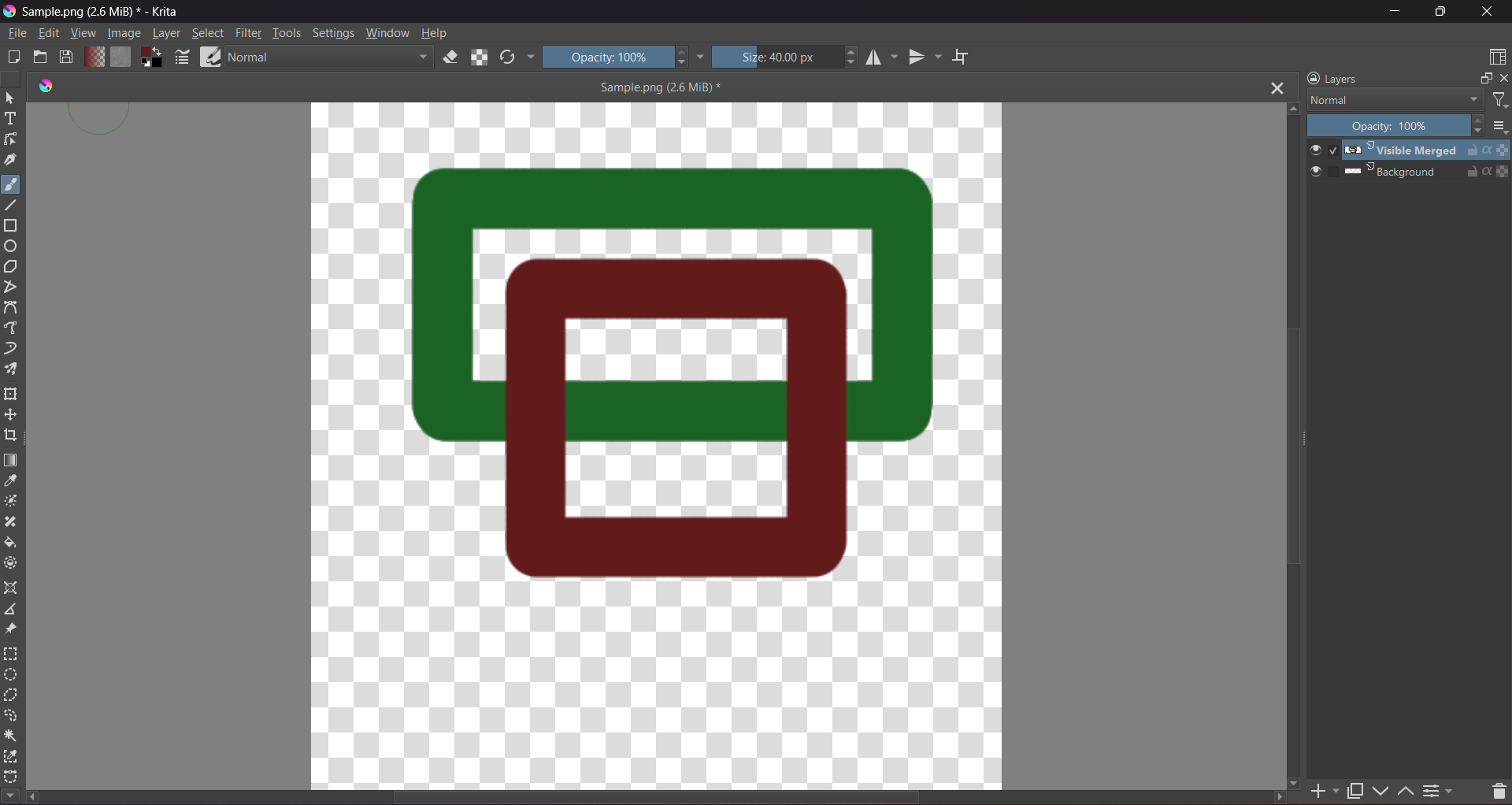 Image resolution: width=1512 pixels, height=805 pixels. Describe the element at coordinates (1299, 781) in the screenshot. I see `Scroll Right` at that location.